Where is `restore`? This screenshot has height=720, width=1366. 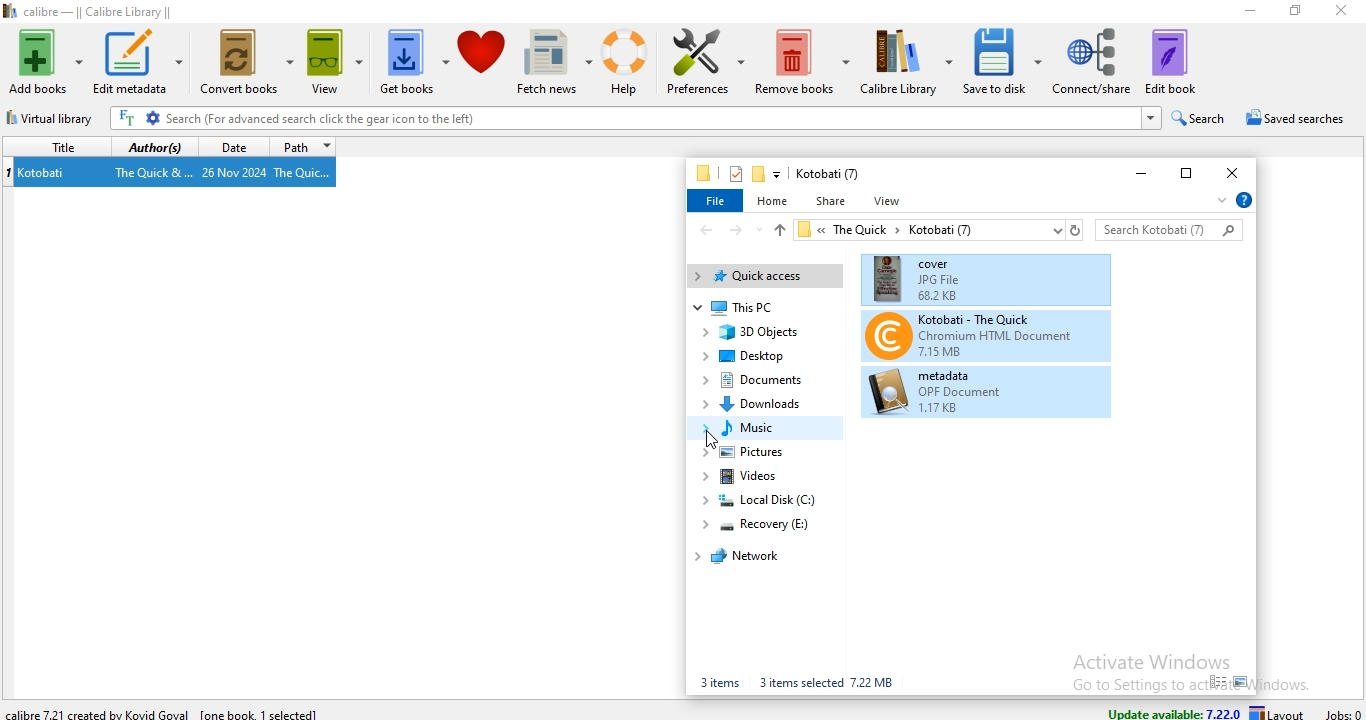
restore is located at coordinates (1292, 10).